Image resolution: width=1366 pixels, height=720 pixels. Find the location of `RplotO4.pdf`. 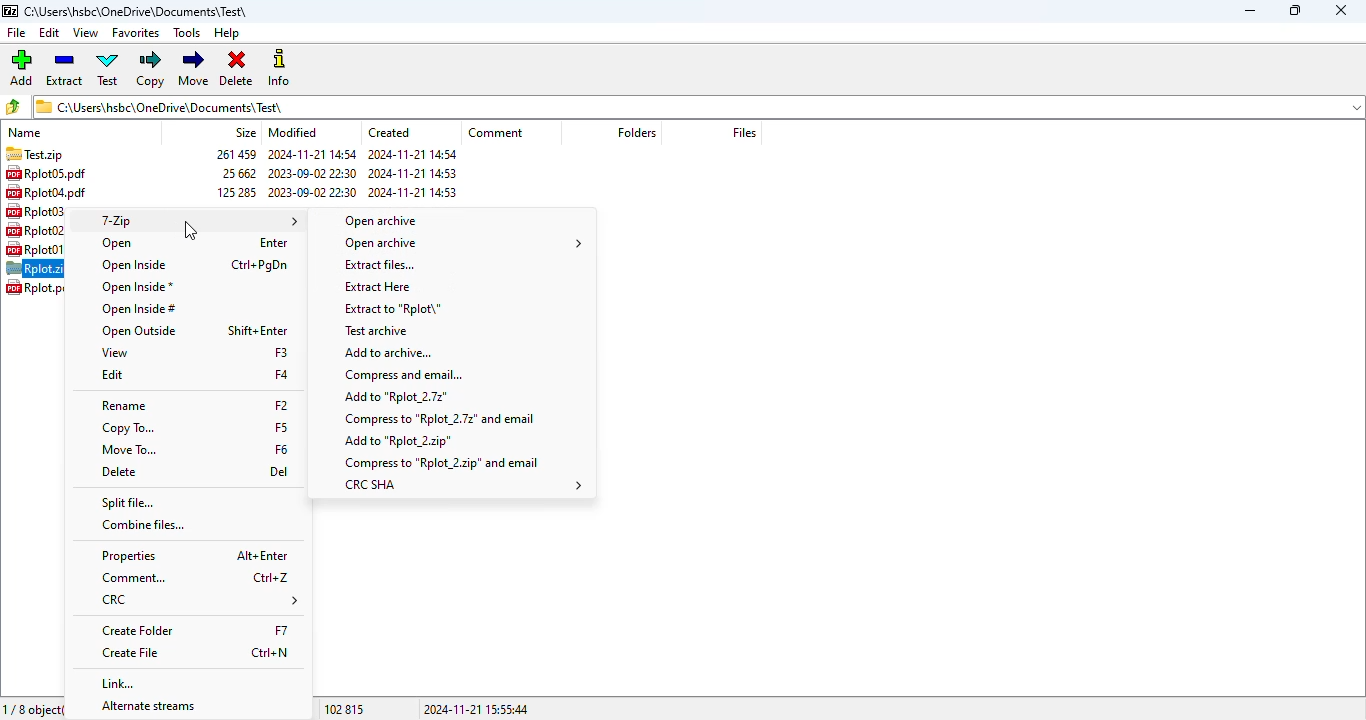

RplotO4.pdf is located at coordinates (51, 192).